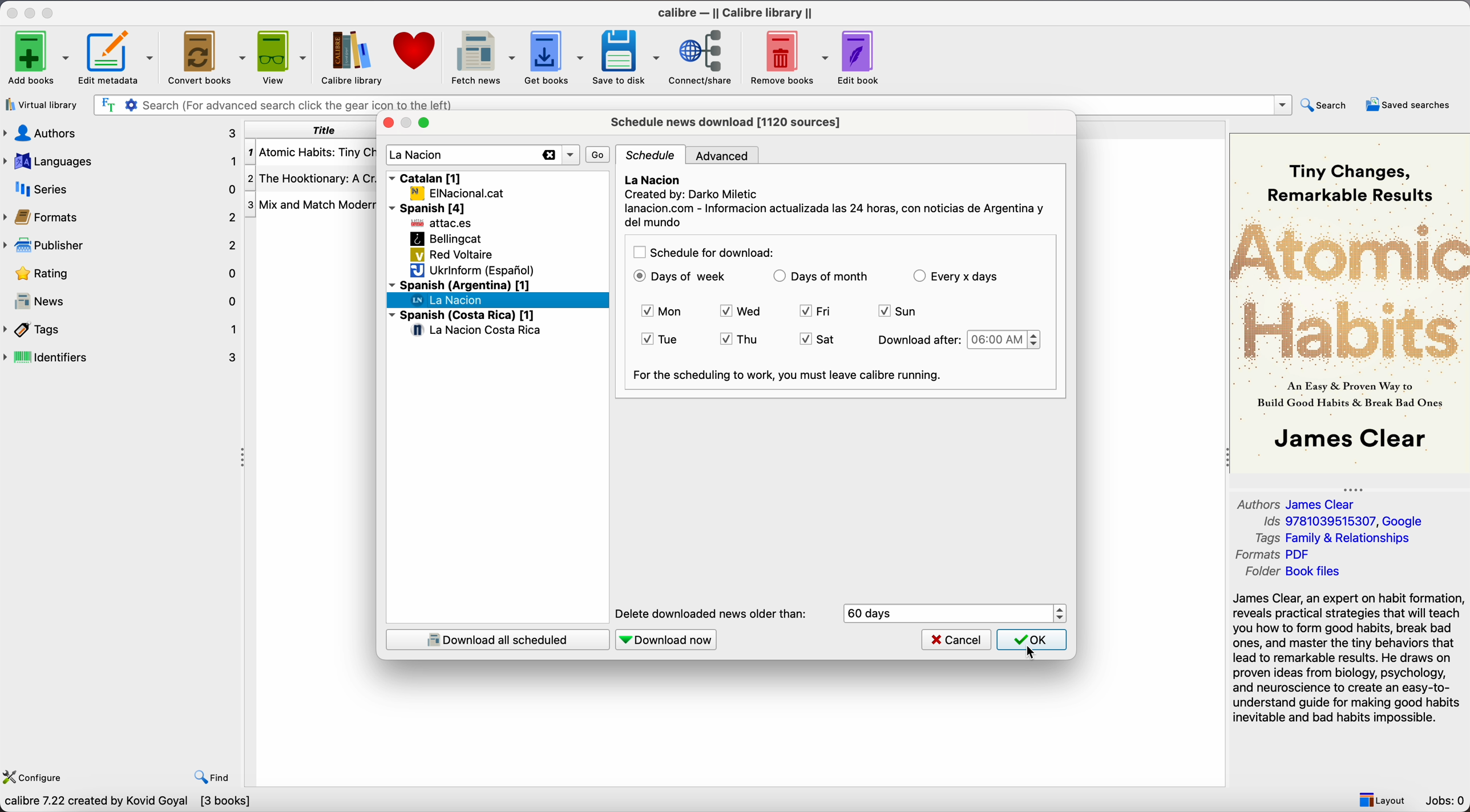 The height and width of the screenshot is (812, 1470). What do you see at coordinates (898, 313) in the screenshot?
I see `sun` at bounding box center [898, 313].